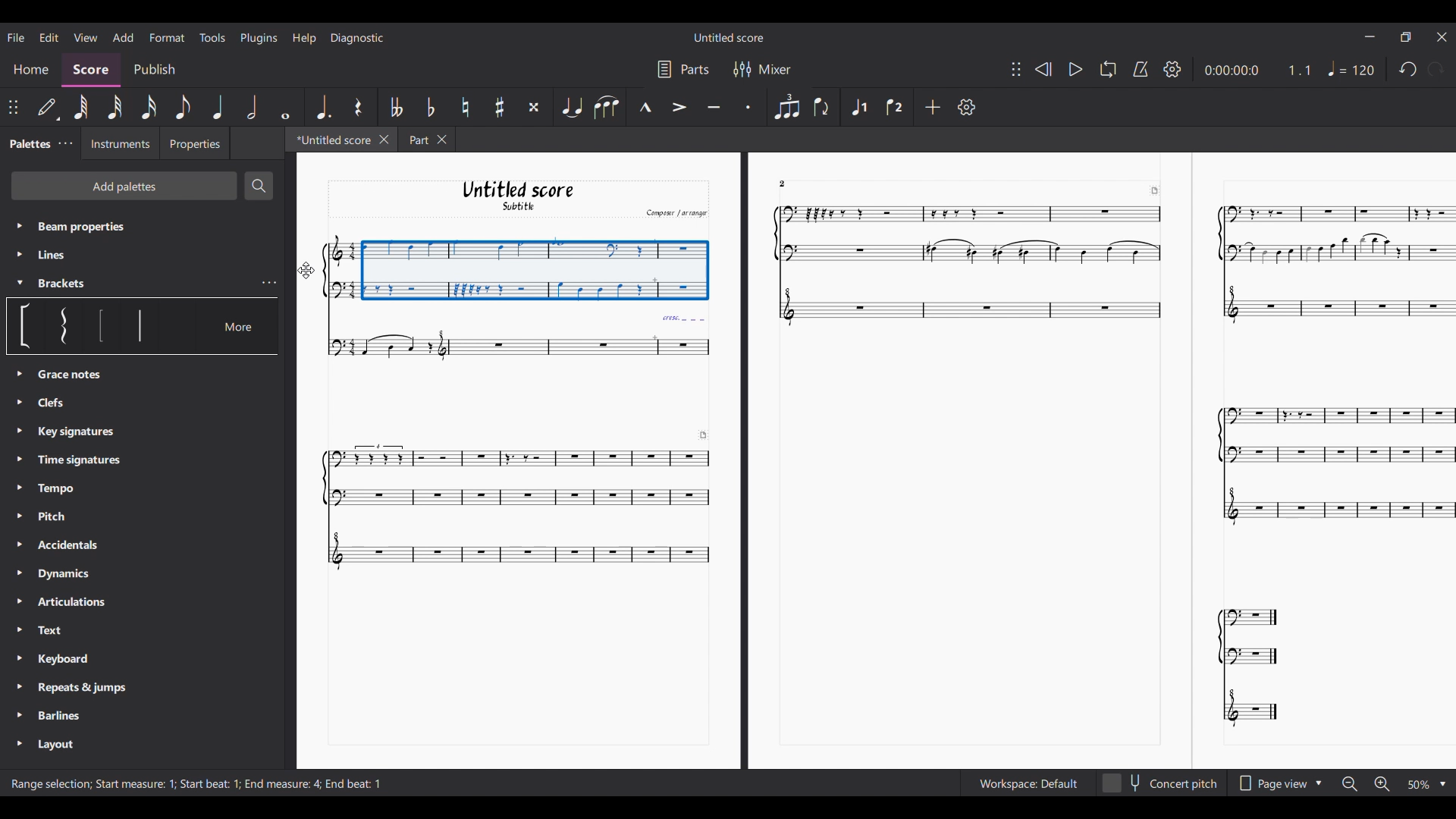 The height and width of the screenshot is (819, 1456). Describe the element at coordinates (322, 107) in the screenshot. I see `Augmentation dot` at that location.